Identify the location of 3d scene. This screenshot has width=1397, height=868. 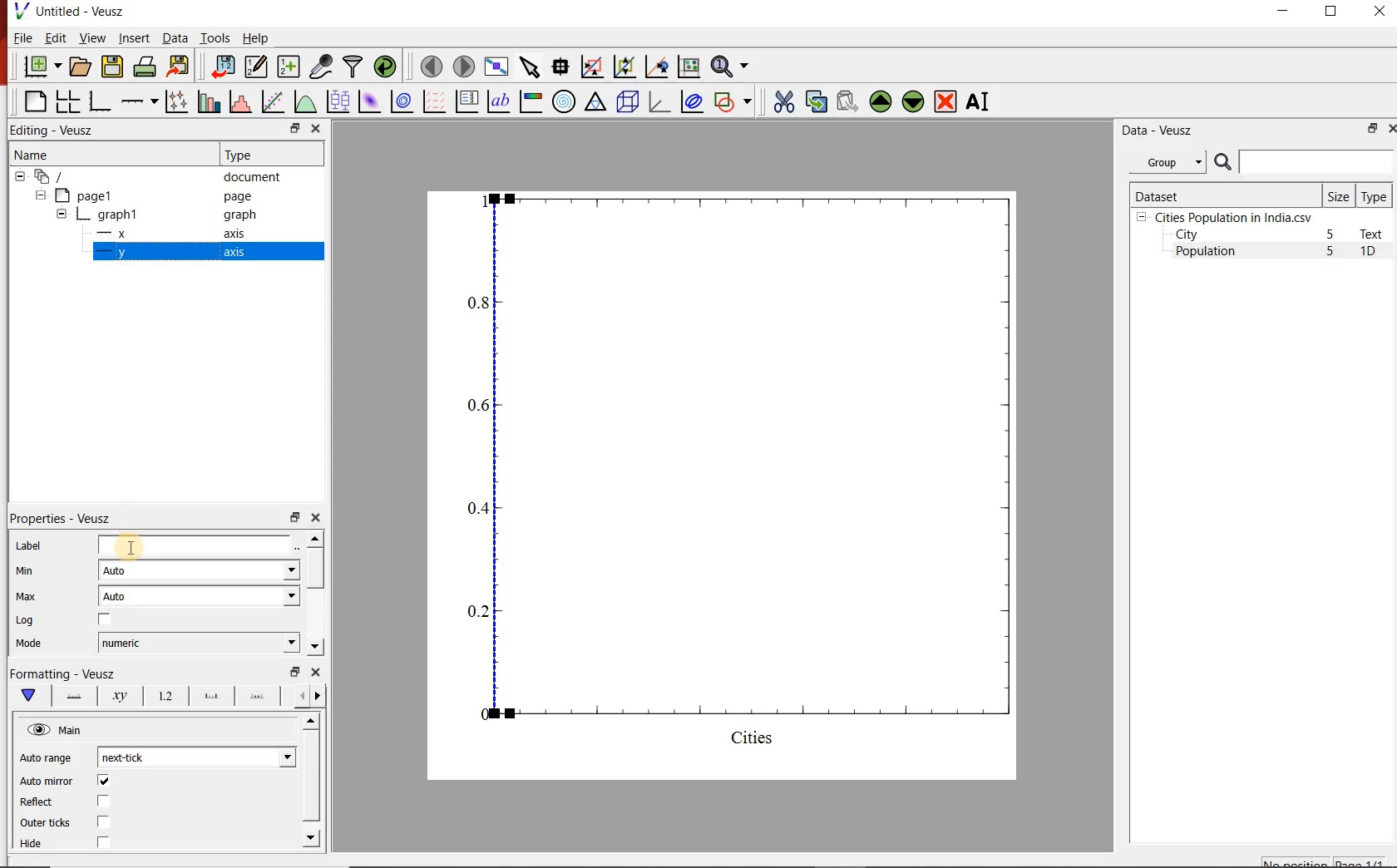
(626, 101).